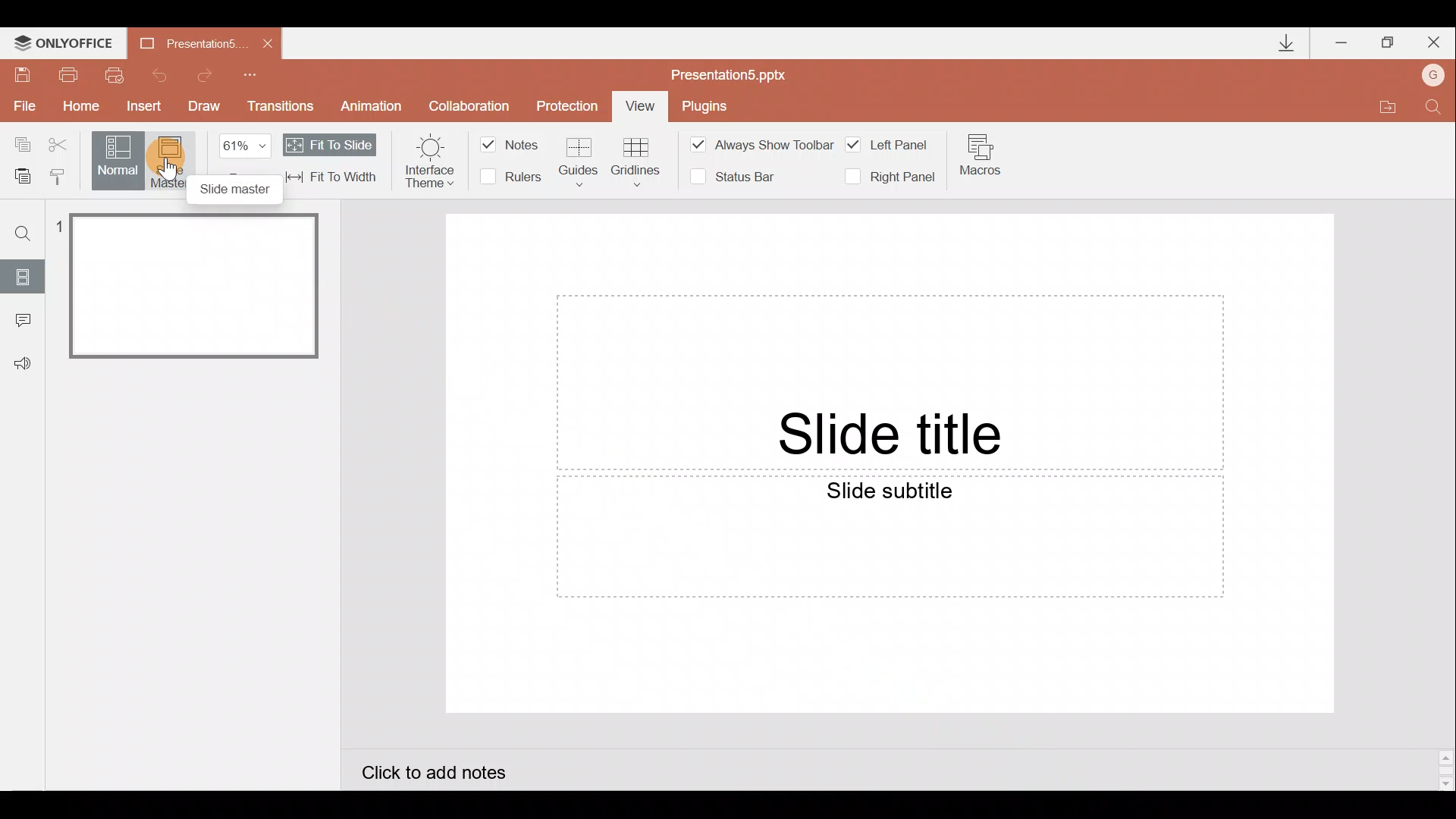 The width and height of the screenshot is (1456, 819). Describe the element at coordinates (64, 176) in the screenshot. I see `Copy style` at that location.